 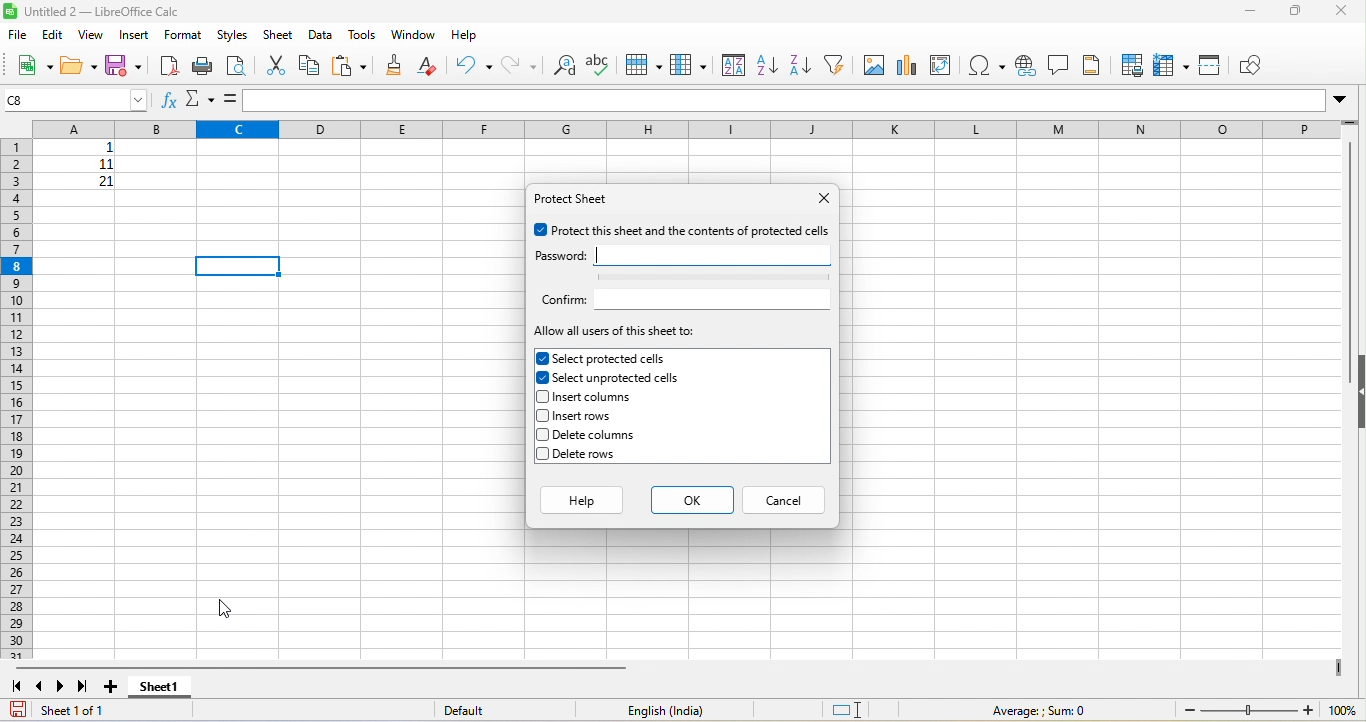 What do you see at coordinates (77, 99) in the screenshot?
I see `selected cell number` at bounding box center [77, 99].